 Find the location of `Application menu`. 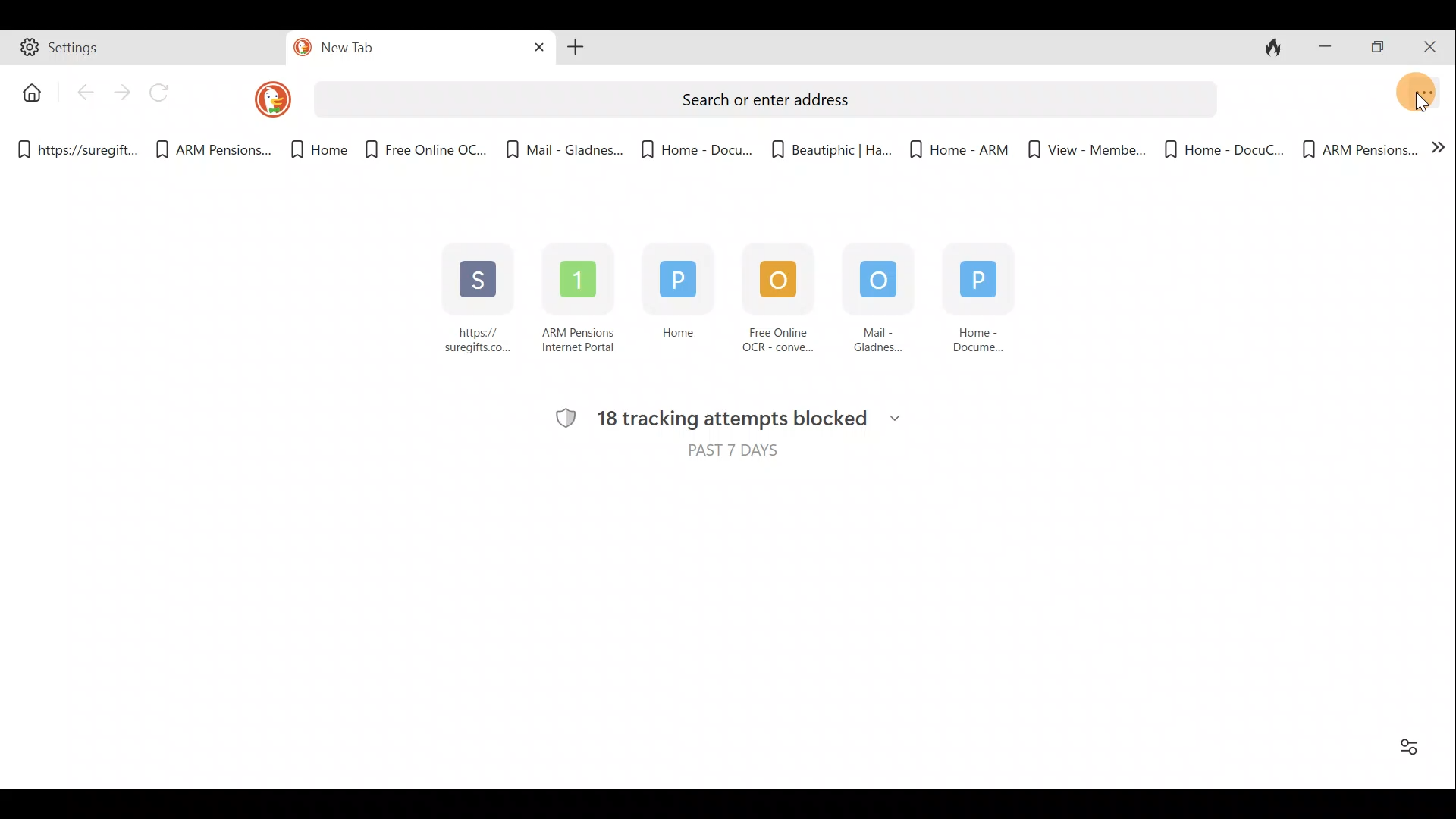

Application menu is located at coordinates (1426, 89).